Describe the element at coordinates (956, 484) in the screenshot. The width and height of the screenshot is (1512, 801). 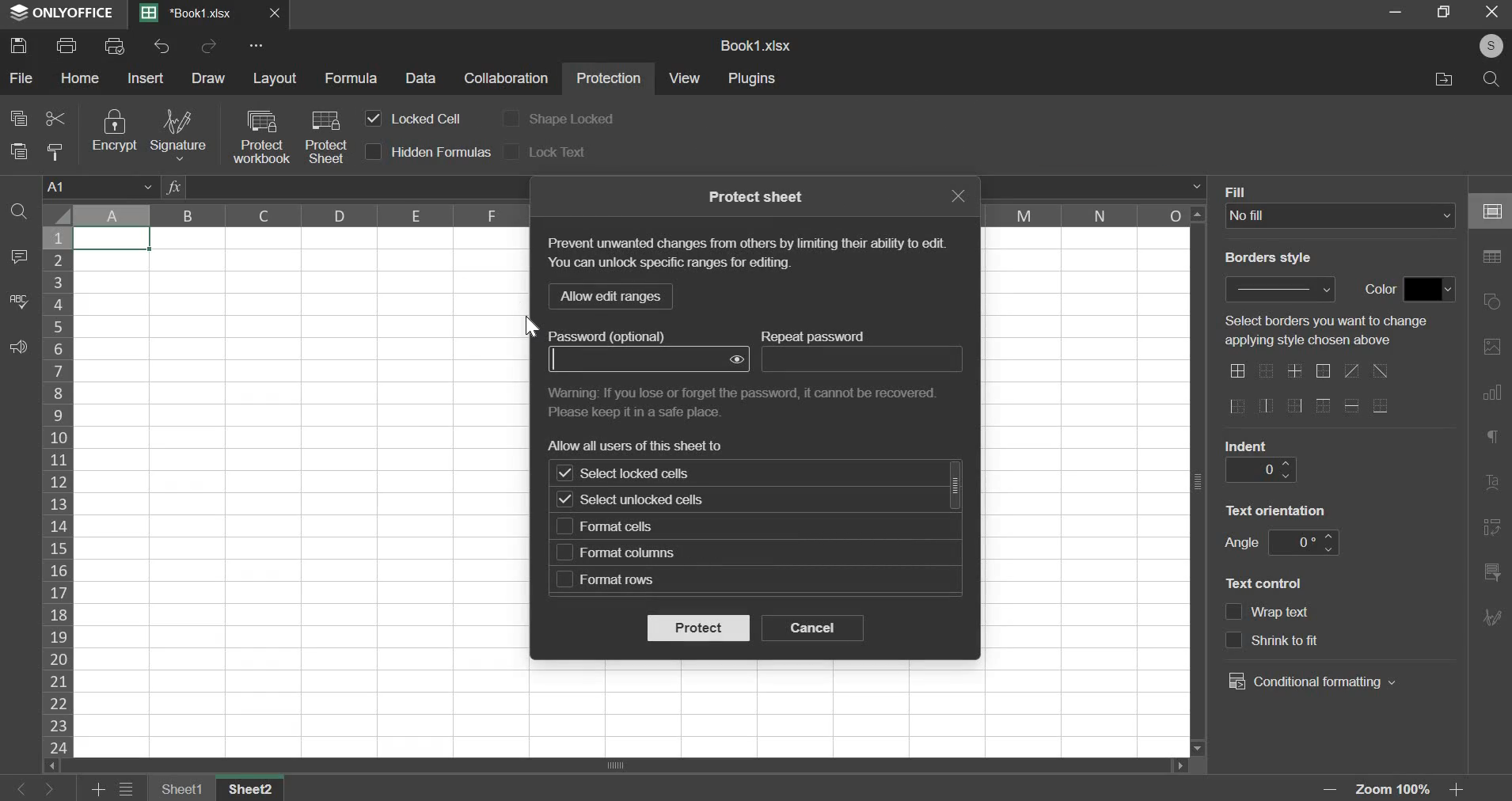
I see `scrollbar` at that location.